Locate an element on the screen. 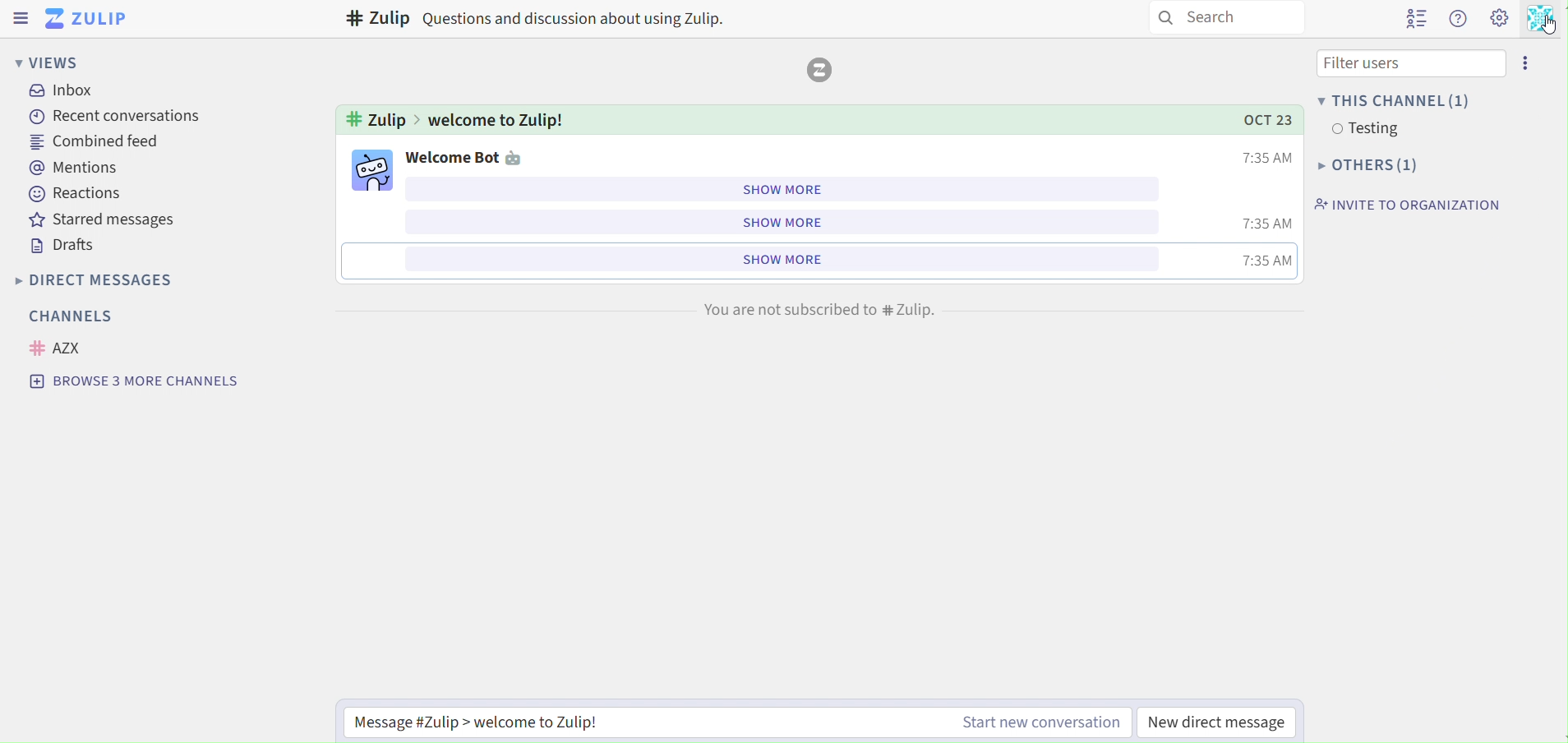 The image size is (1568, 743). #Zulip Question and discussion about using Zulip is located at coordinates (537, 19).